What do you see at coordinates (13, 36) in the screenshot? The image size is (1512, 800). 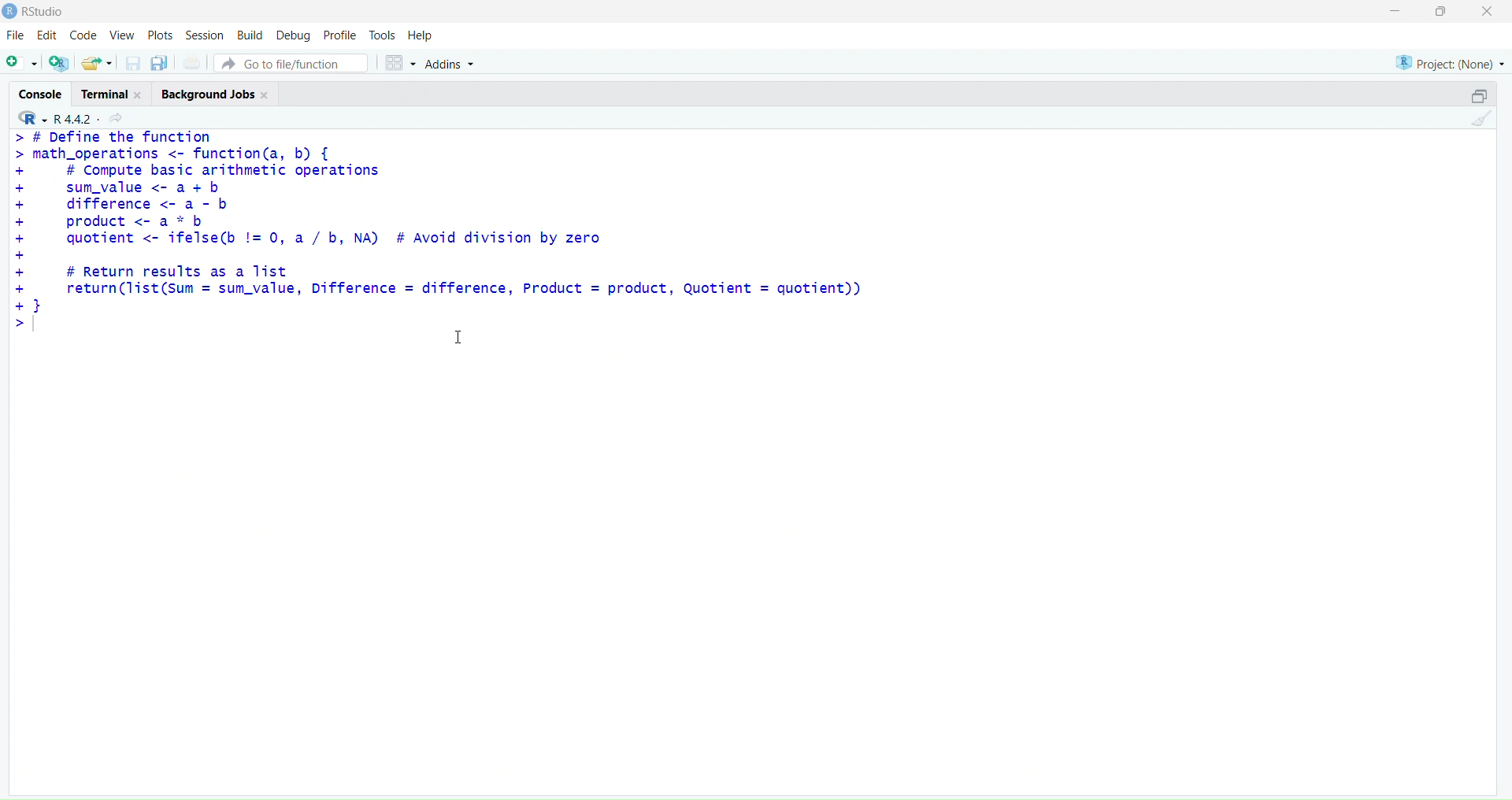 I see `File` at bounding box center [13, 36].